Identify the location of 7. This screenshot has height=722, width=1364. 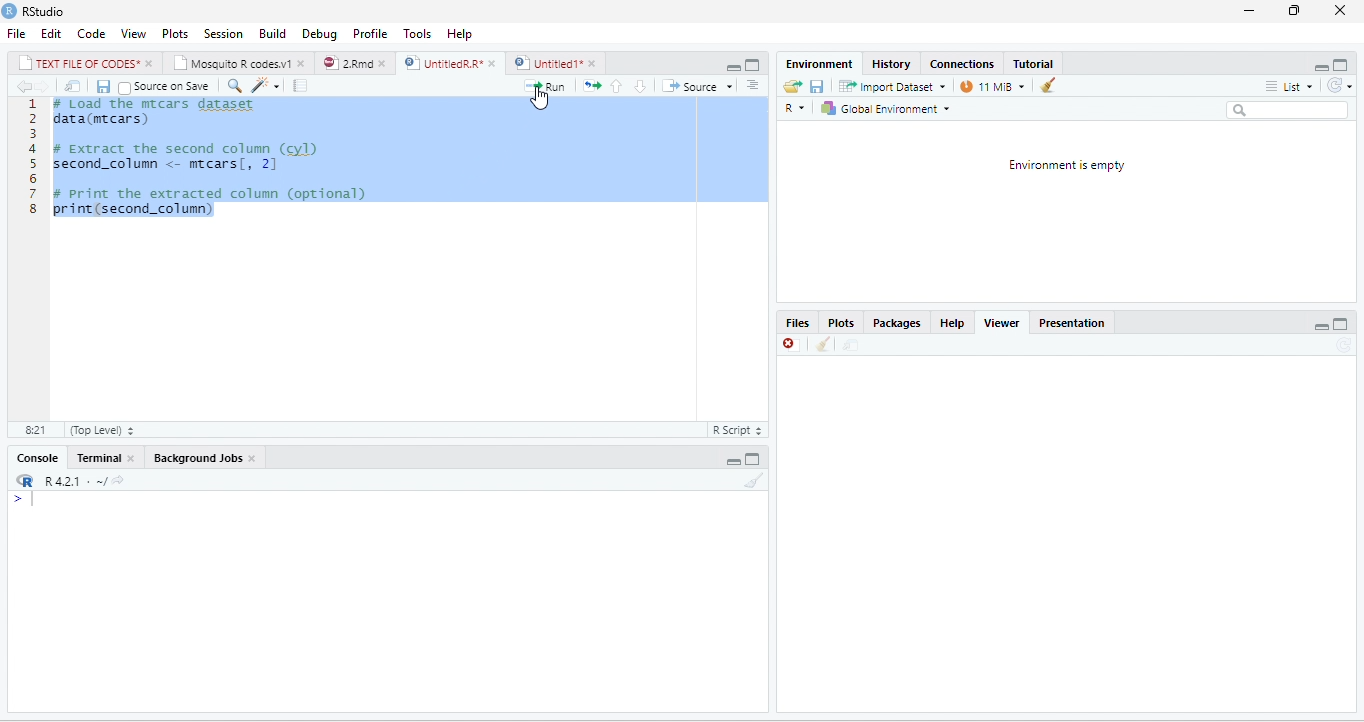
(32, 193).